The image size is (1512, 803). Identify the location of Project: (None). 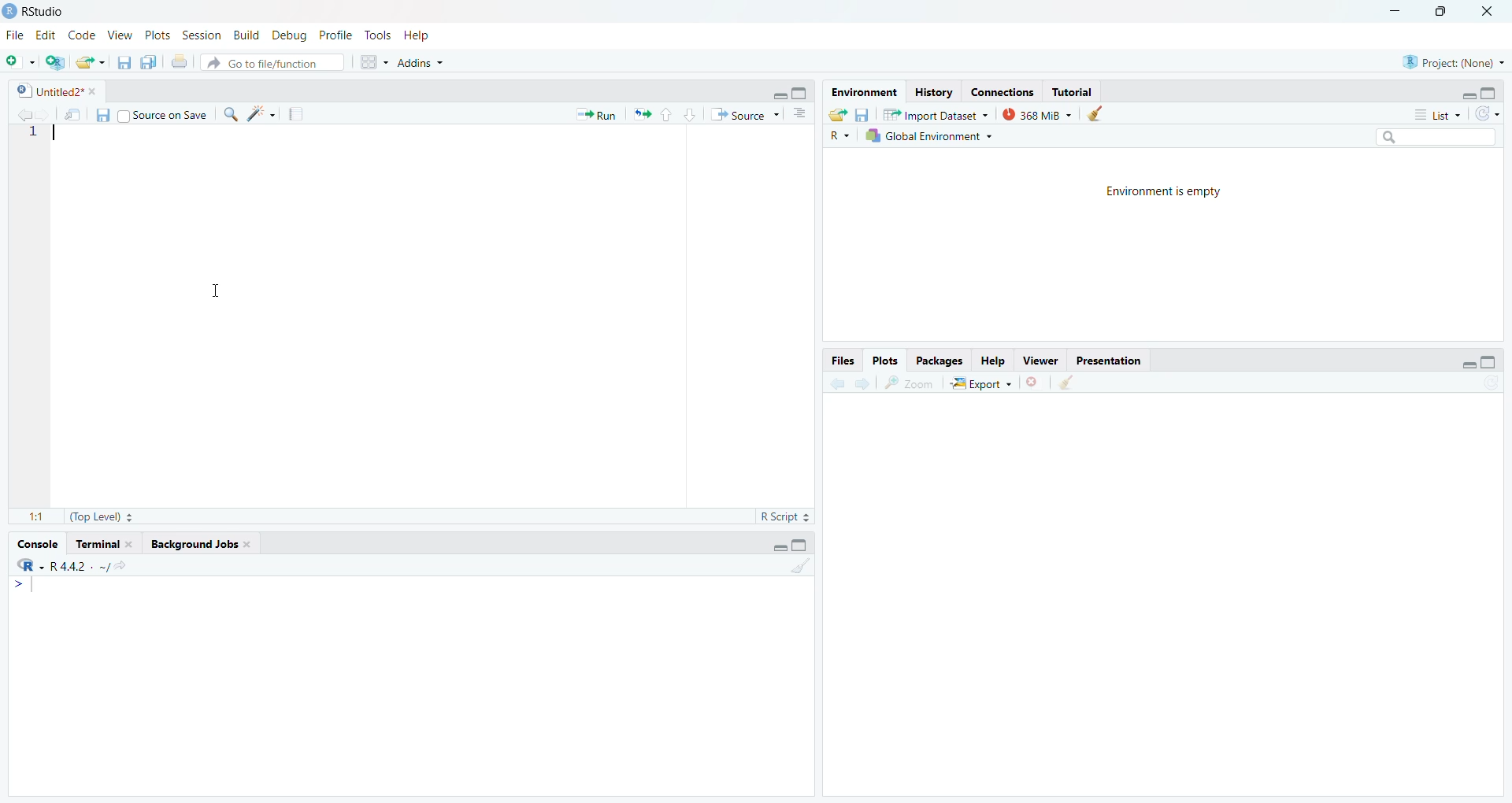
(1449, 60).